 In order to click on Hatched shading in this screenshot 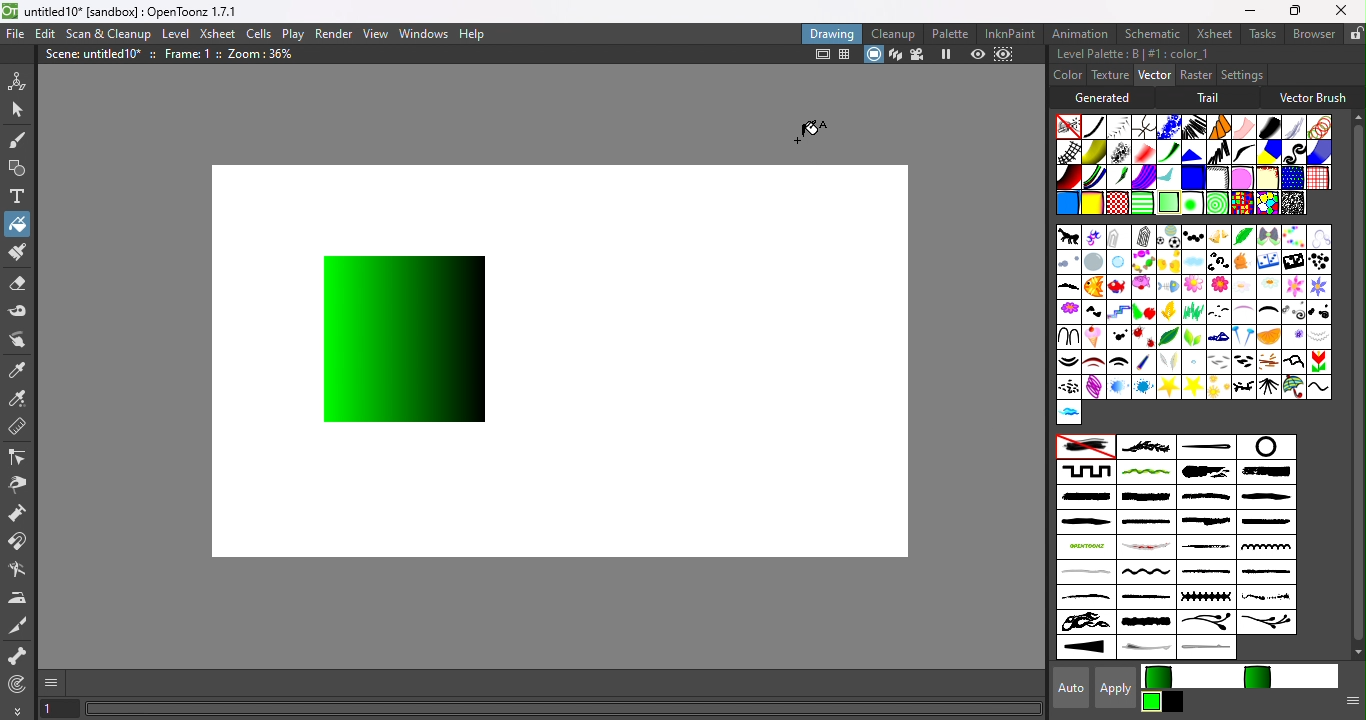, I will do `click(1216, 178)`.